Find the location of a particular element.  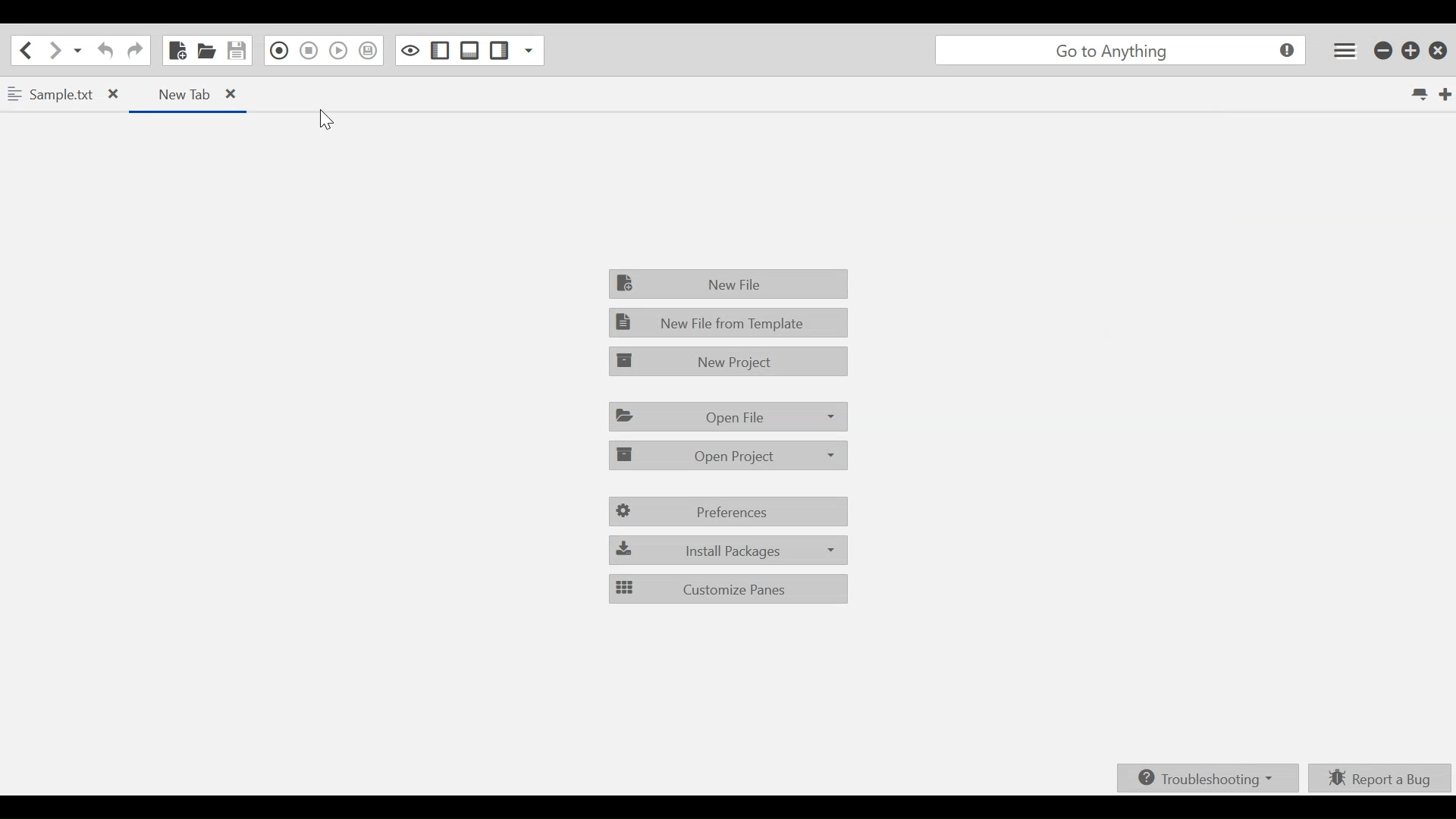

Show/Hide Right Pane is located at coordinates (500, 50).